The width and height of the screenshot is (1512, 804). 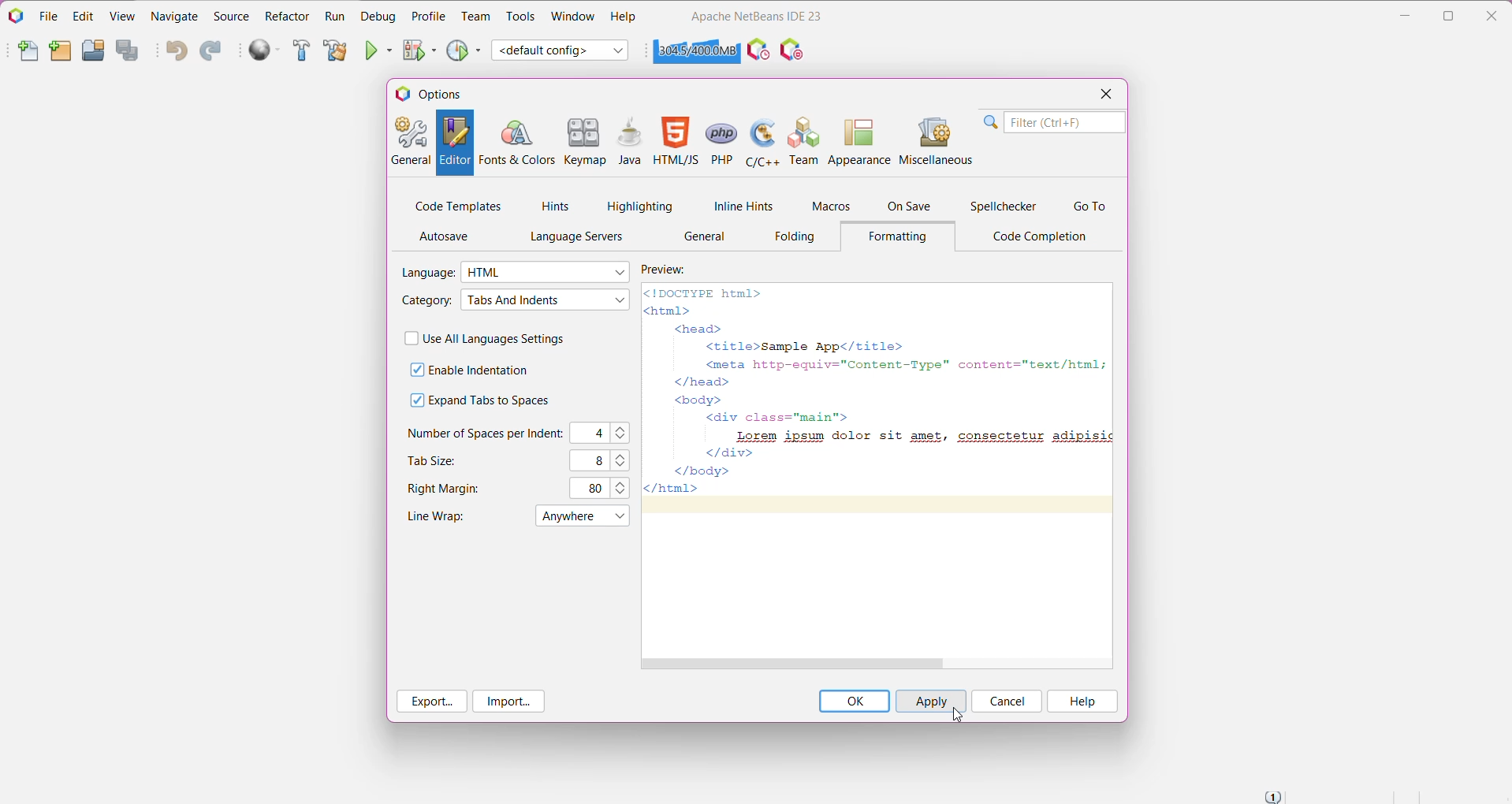 I want to click on C4, so click(x=593, y=434).